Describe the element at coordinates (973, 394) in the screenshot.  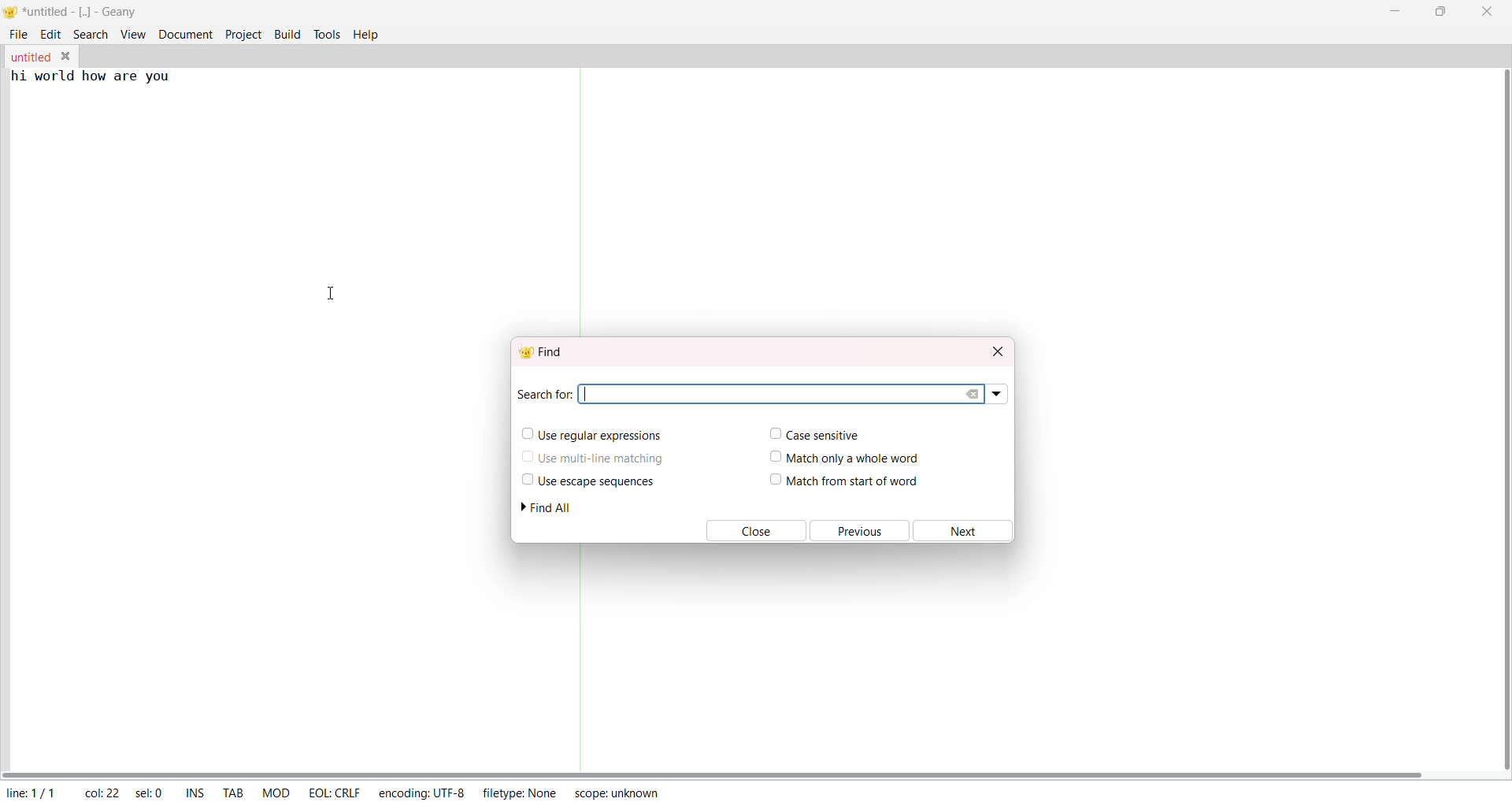
I see `clear search` at that location.